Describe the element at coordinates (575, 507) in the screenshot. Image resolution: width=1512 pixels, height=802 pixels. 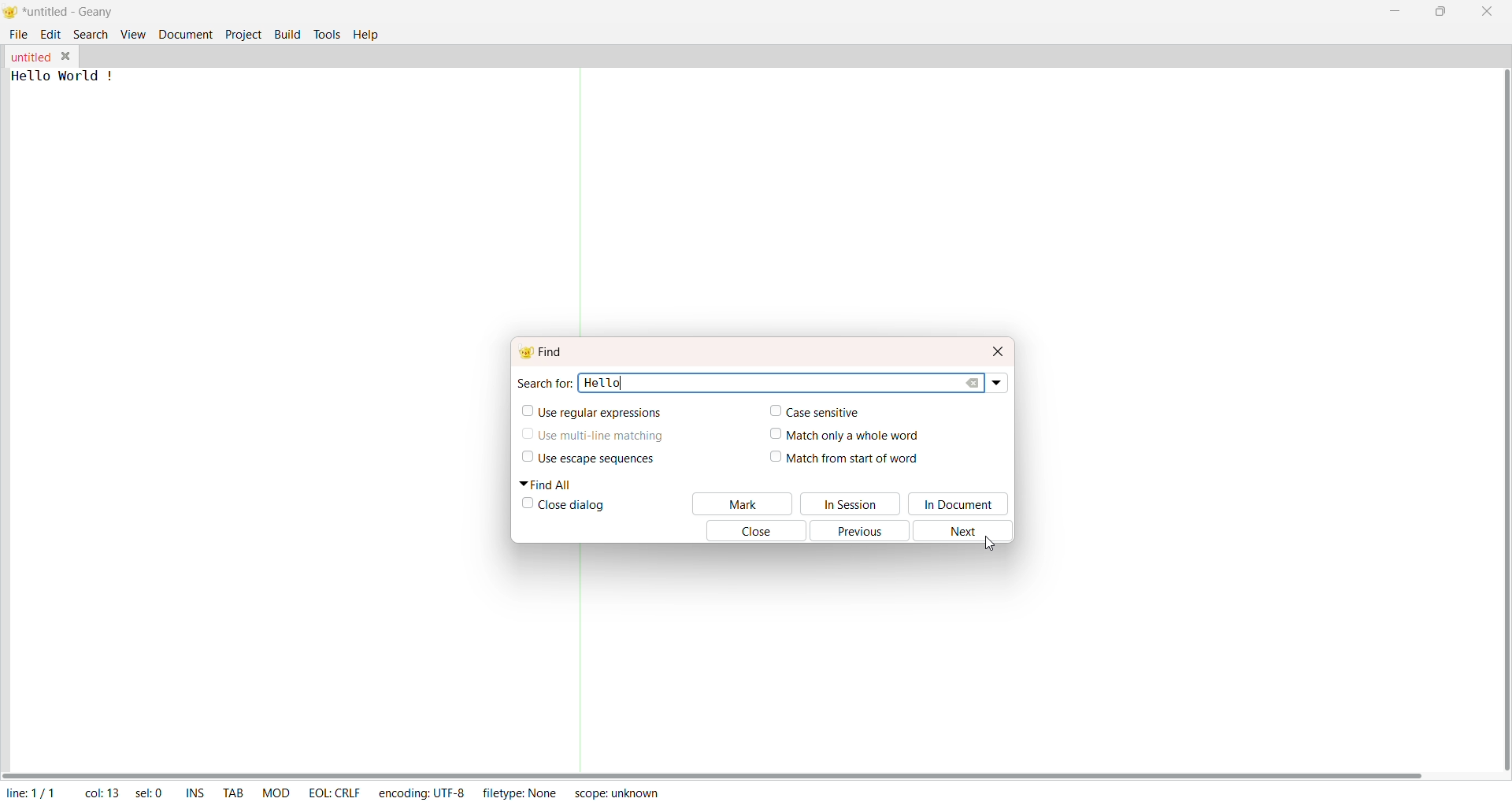
I see `Close Dialog` at that location.